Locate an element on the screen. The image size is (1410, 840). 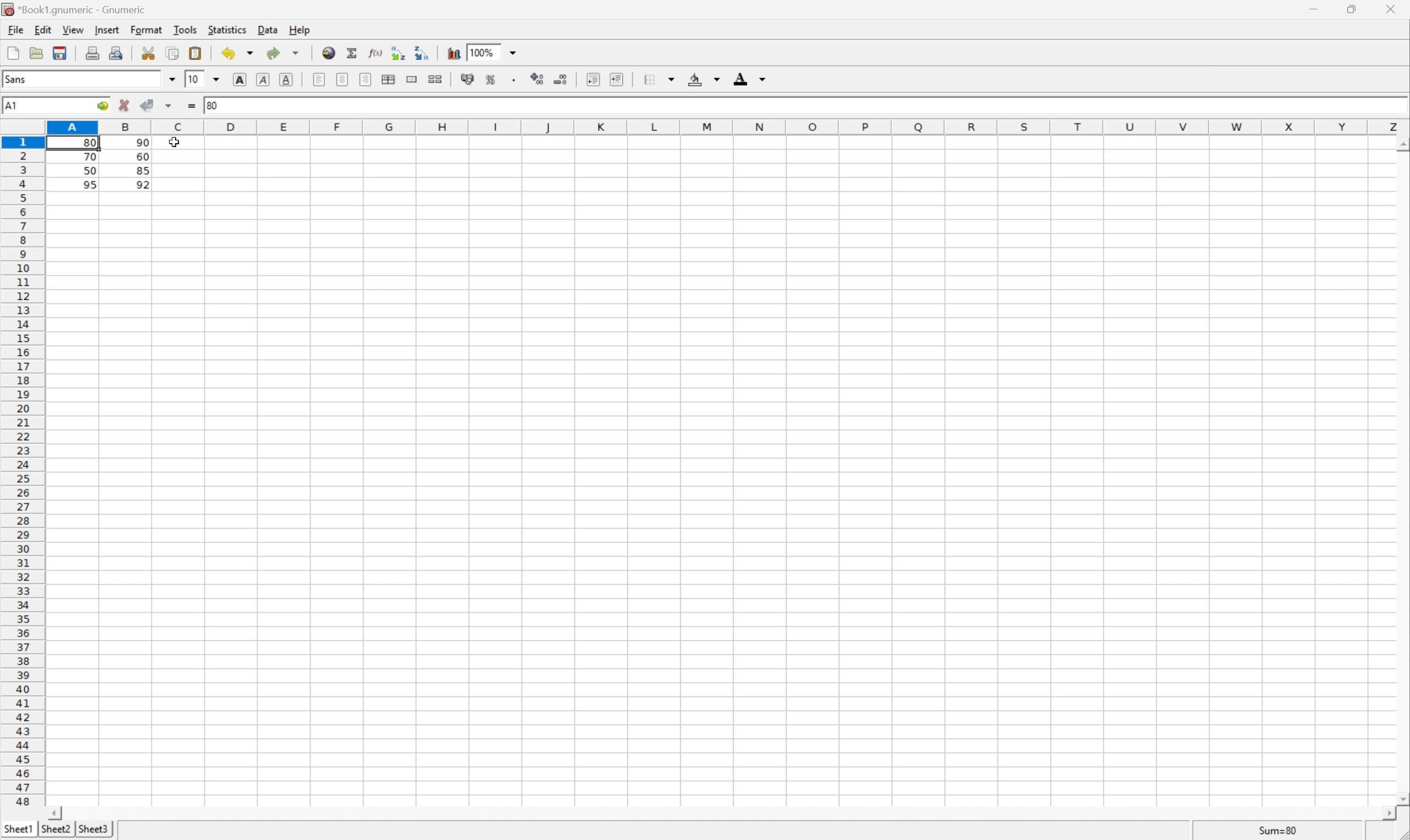
Scroll Up is located at coordinates (1401, 144).